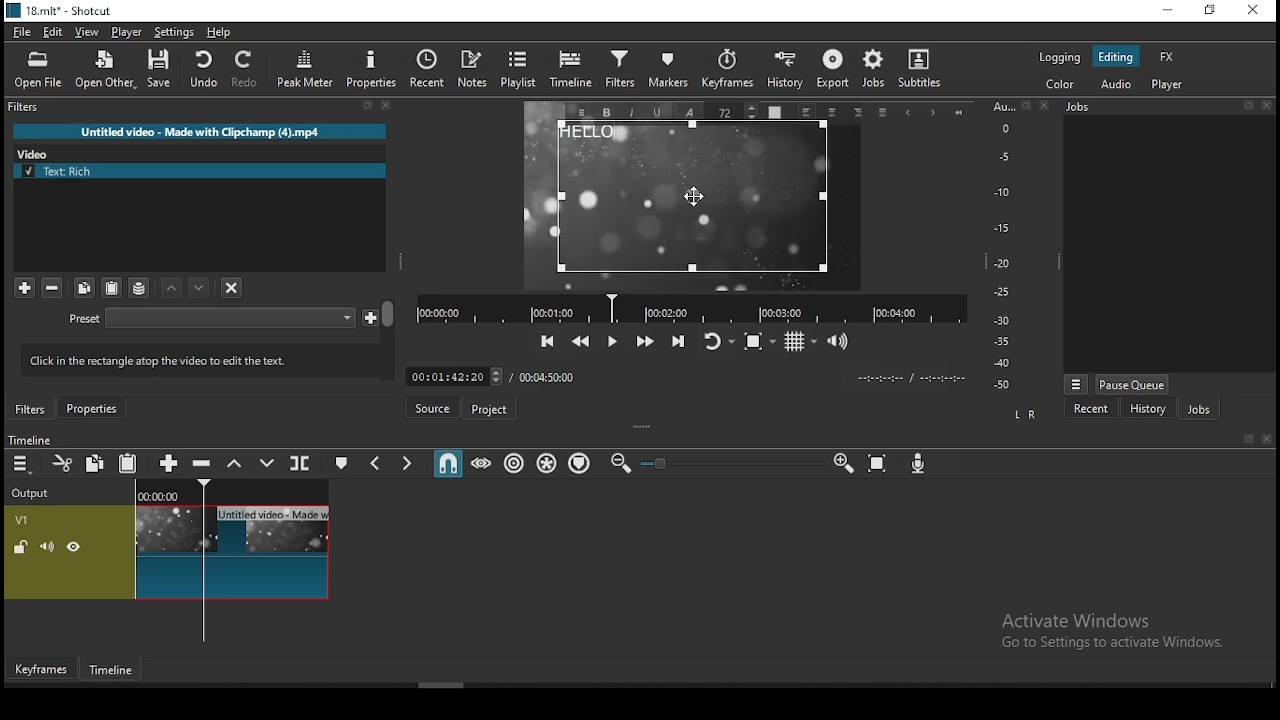 The width and height of the screenshot is (1280, 720). What do you see at coordinates (22, 462) in the screenshot?
I see `timeline settings` at bounding box center [22, 462].